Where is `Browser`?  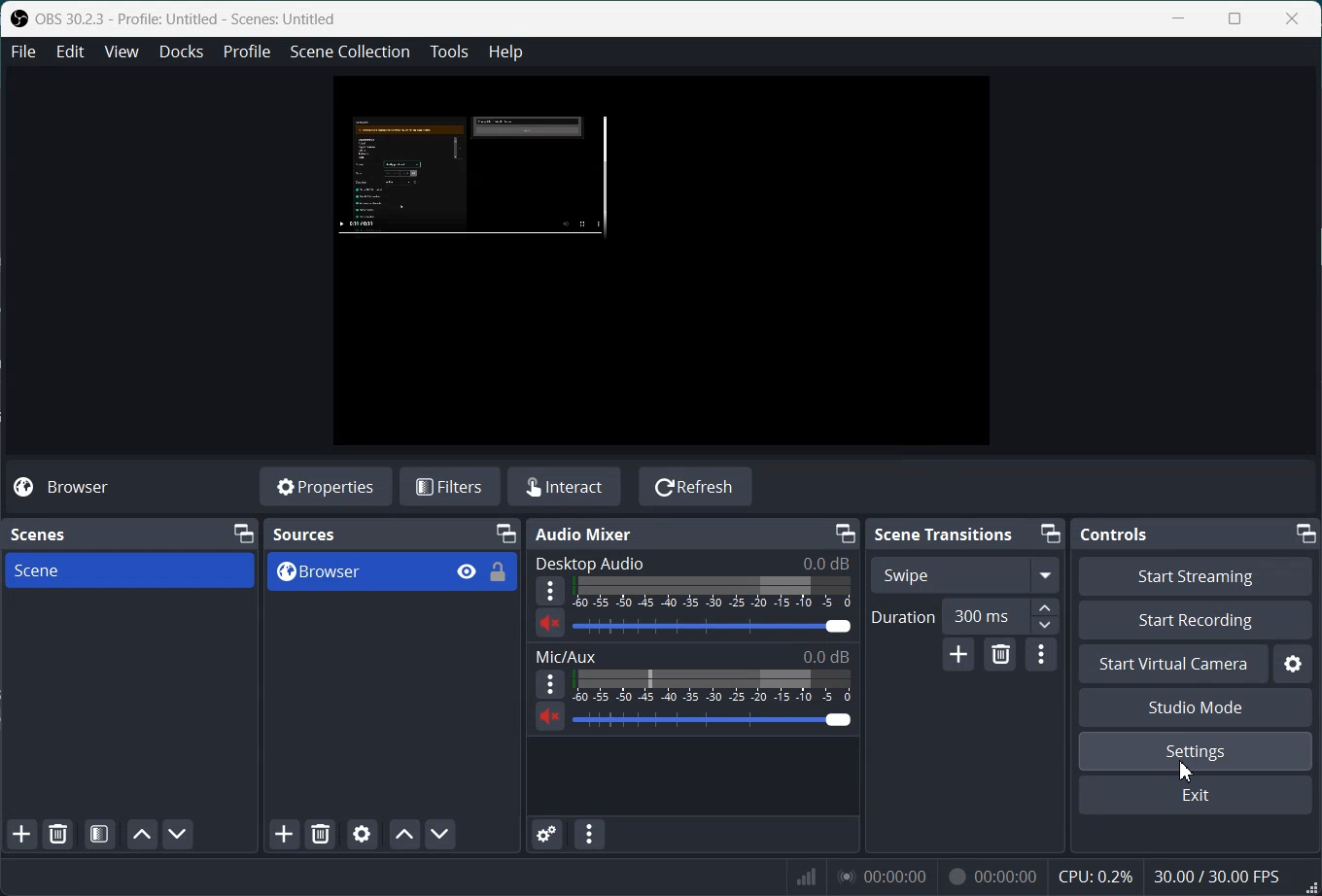 Browser is located at coordinates (354, 571).